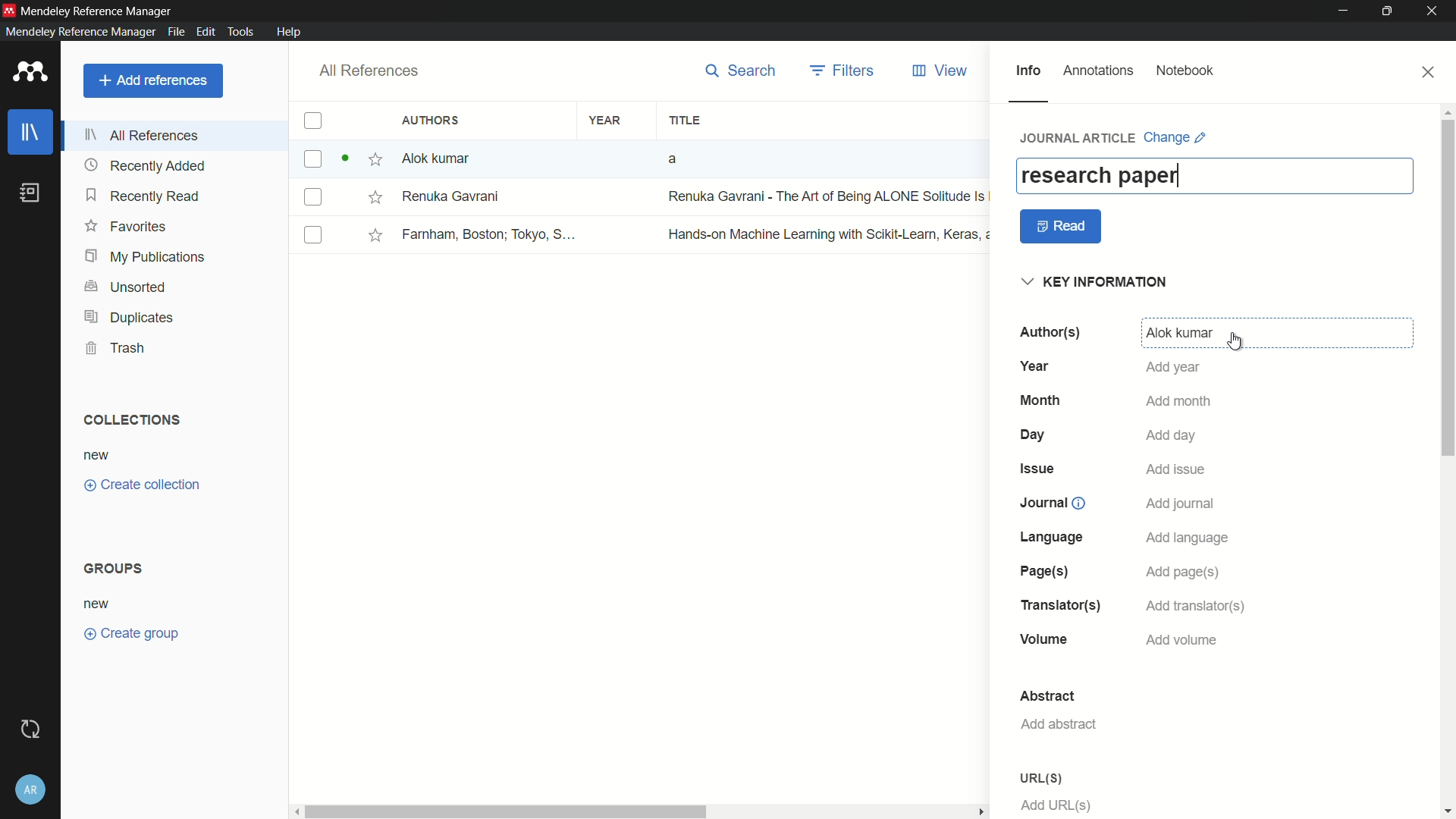 The width and height of the screenshot is (1456, 819). What do you see at coordinates (941, 71) in the screenshot?
I see `view` at bounding box center [941, 71].